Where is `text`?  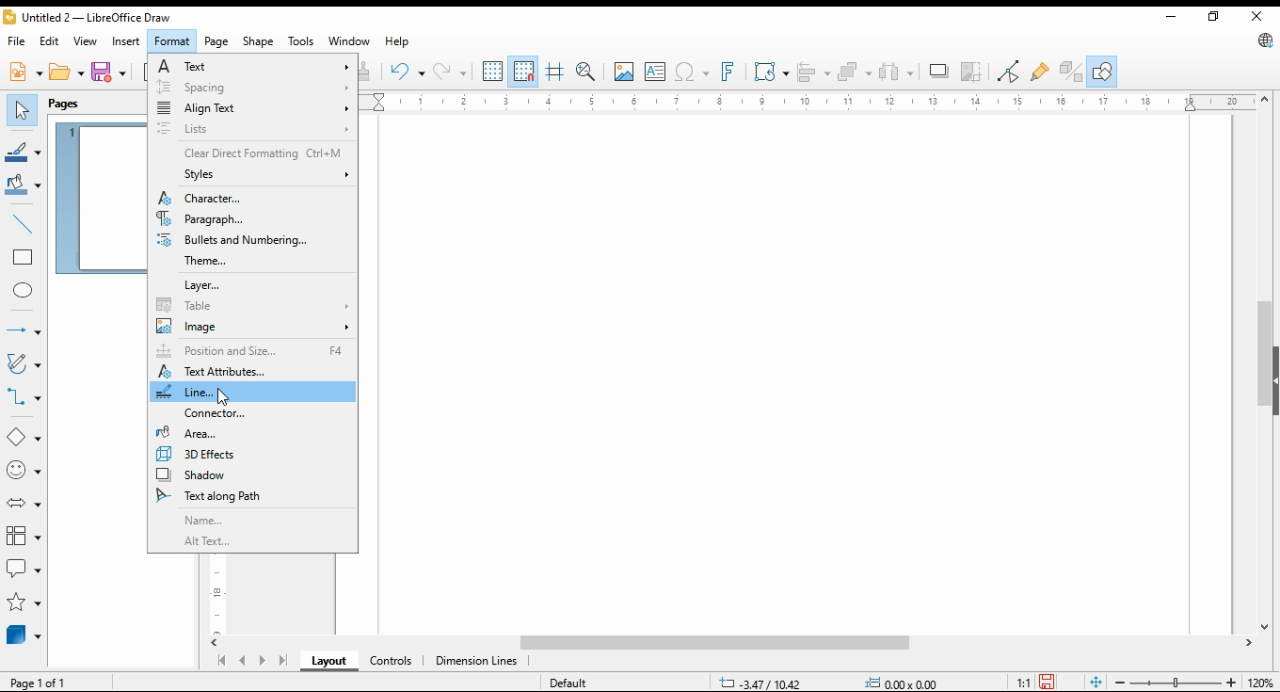
text is located at coordinates (251, 66).